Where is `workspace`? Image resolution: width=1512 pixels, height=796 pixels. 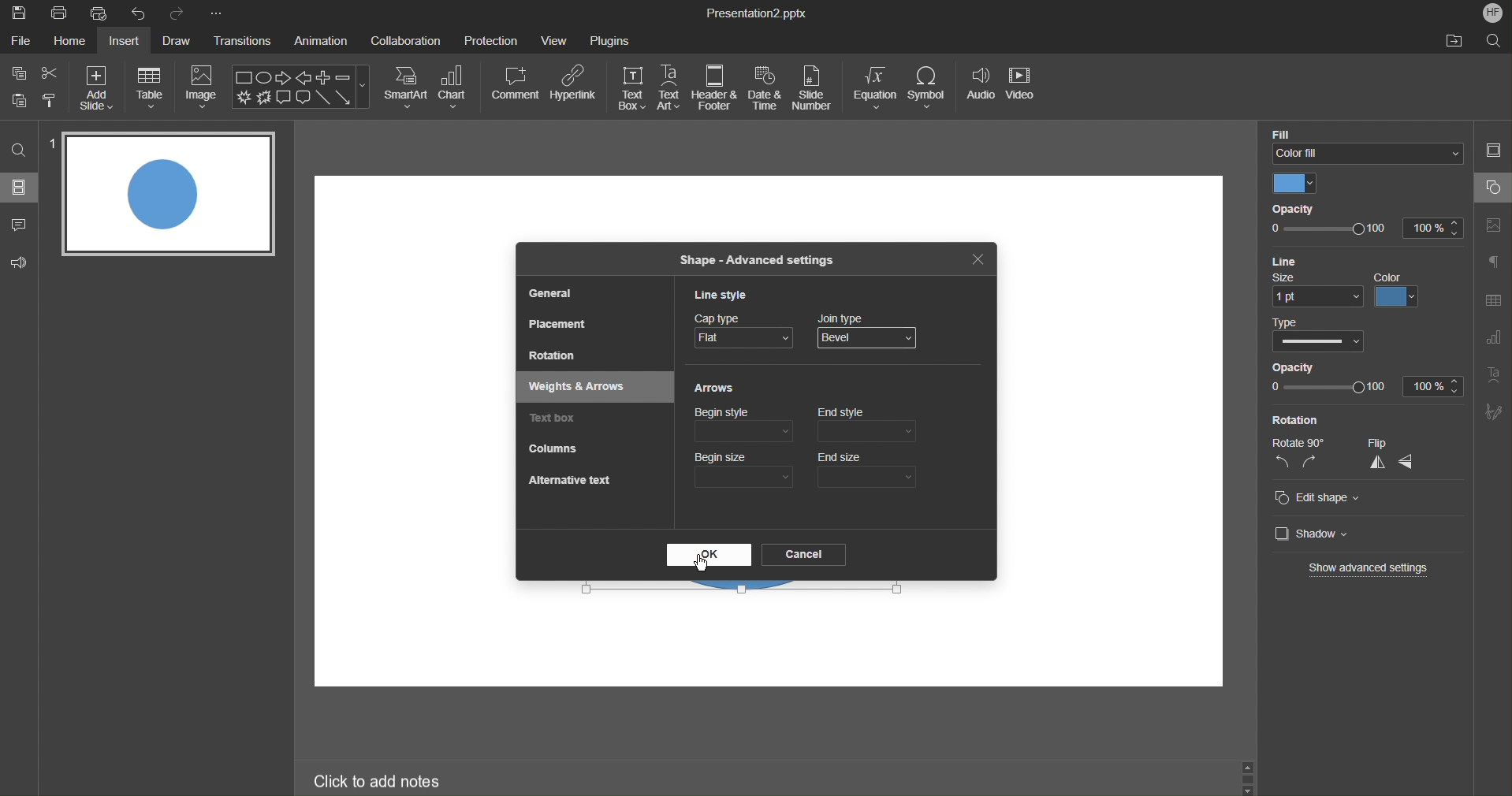
workspace is located at coordinates (868, 655).